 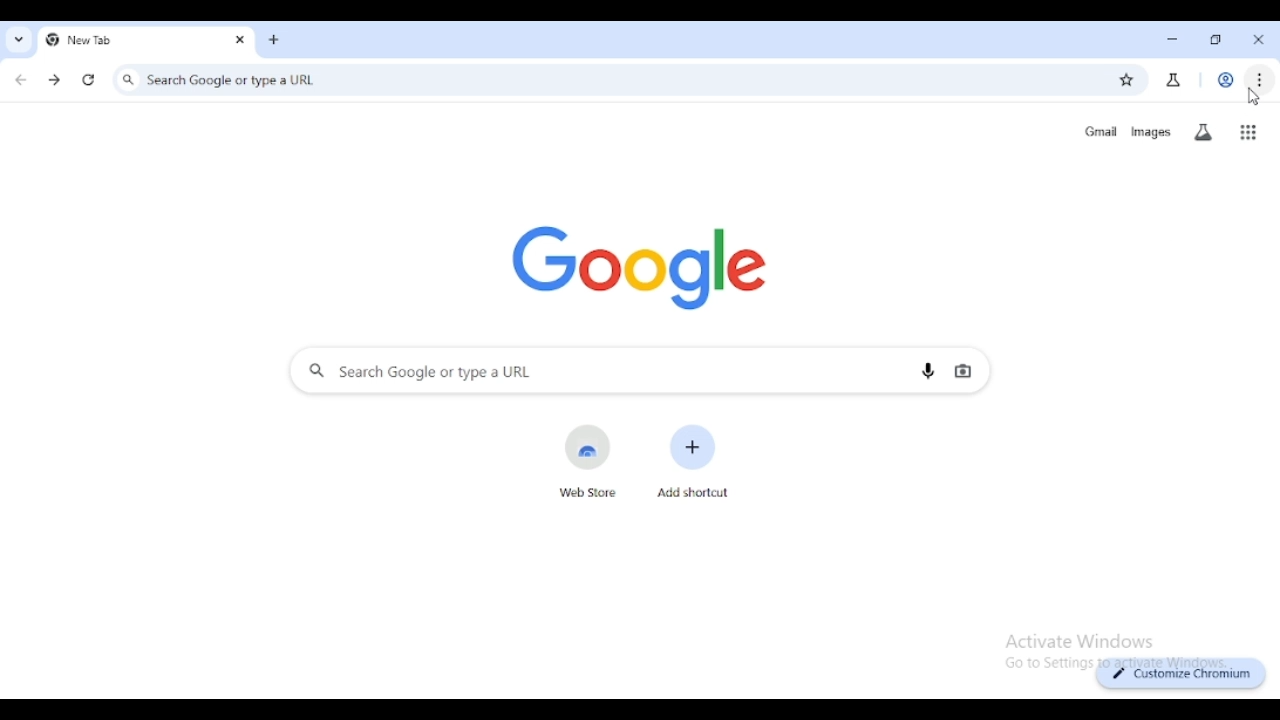 I want to click on cursor, so click(x=1254, y=97).